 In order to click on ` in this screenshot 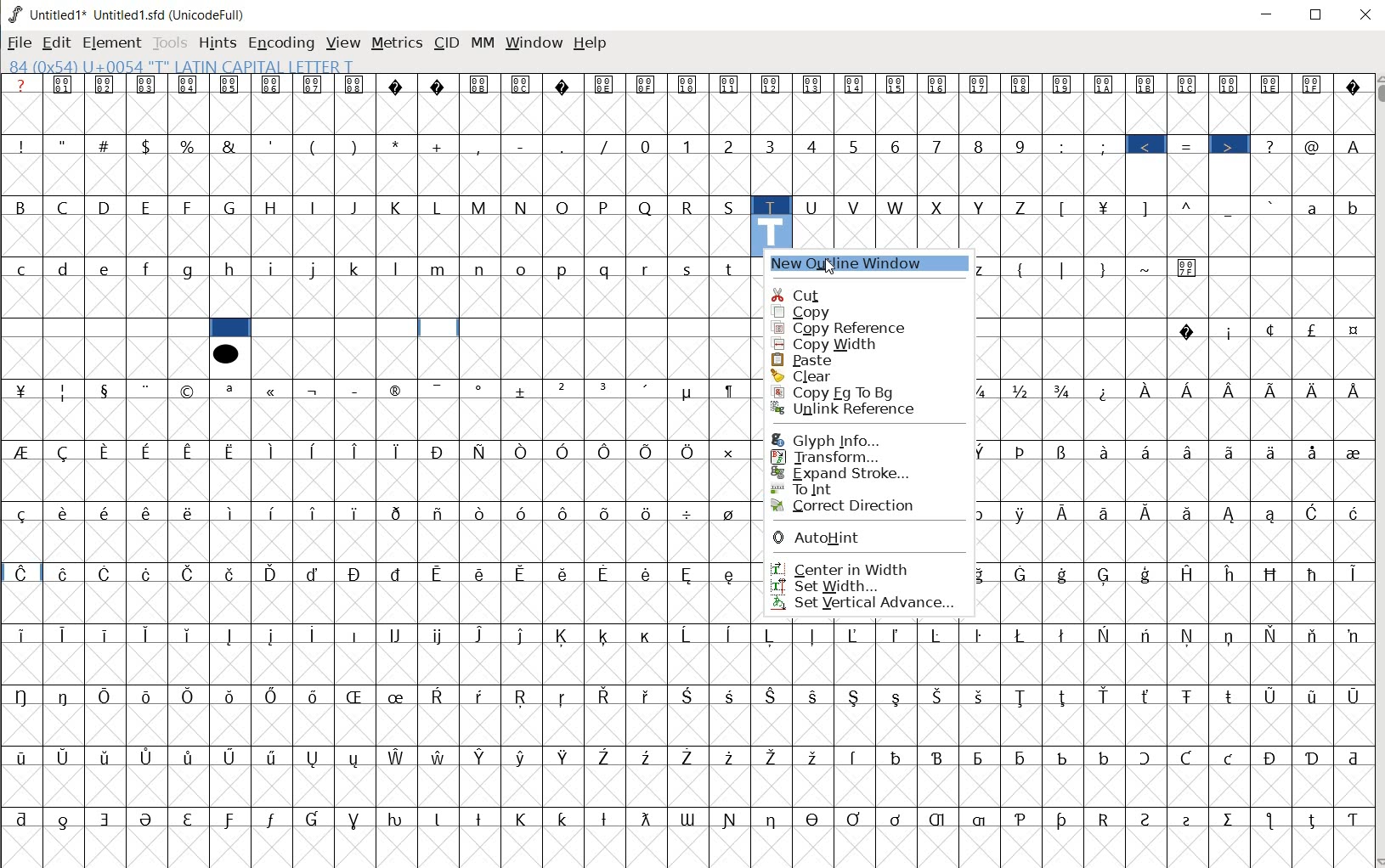, I will do `click(1271, 206)`.